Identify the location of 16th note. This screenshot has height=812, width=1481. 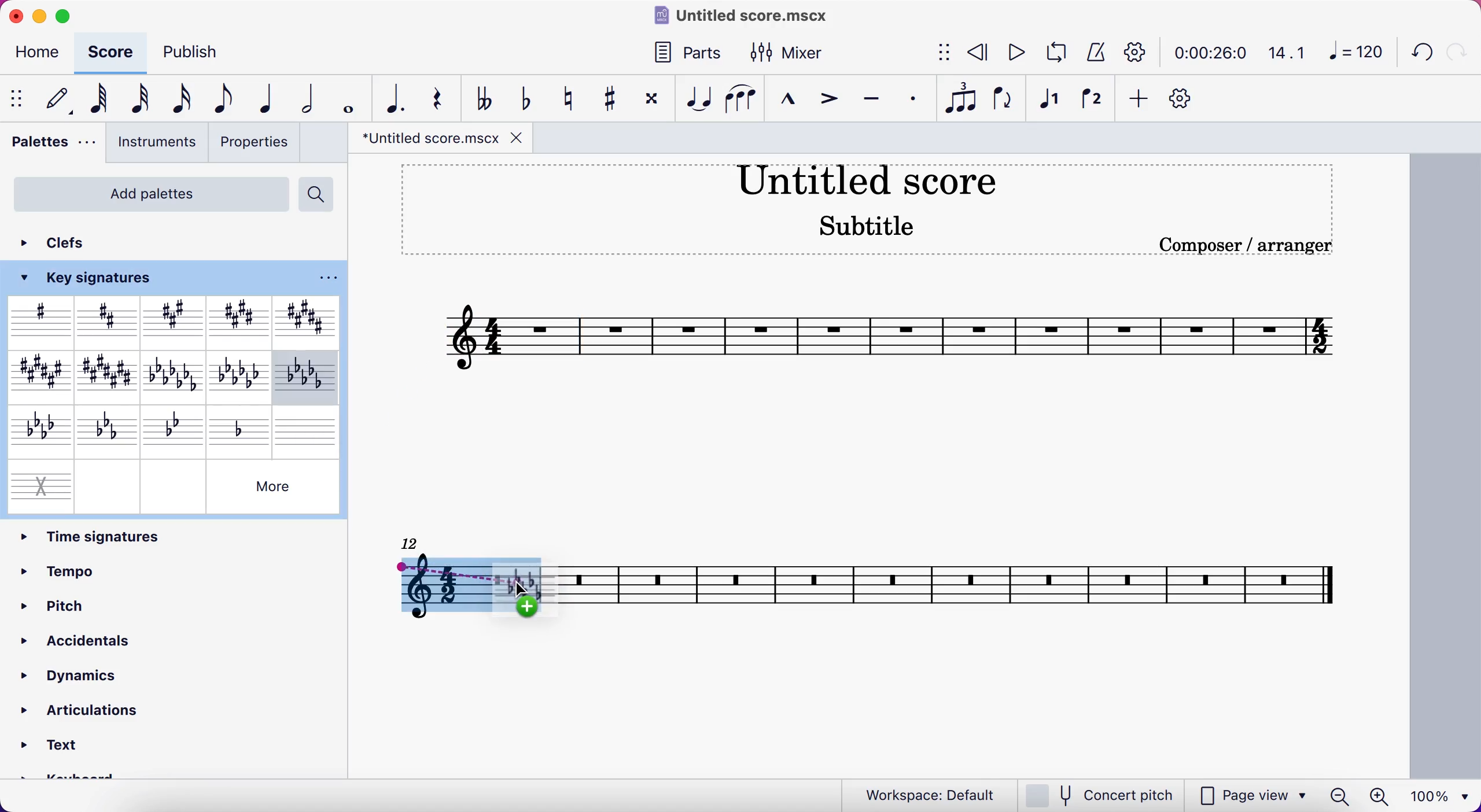
(182, 100).